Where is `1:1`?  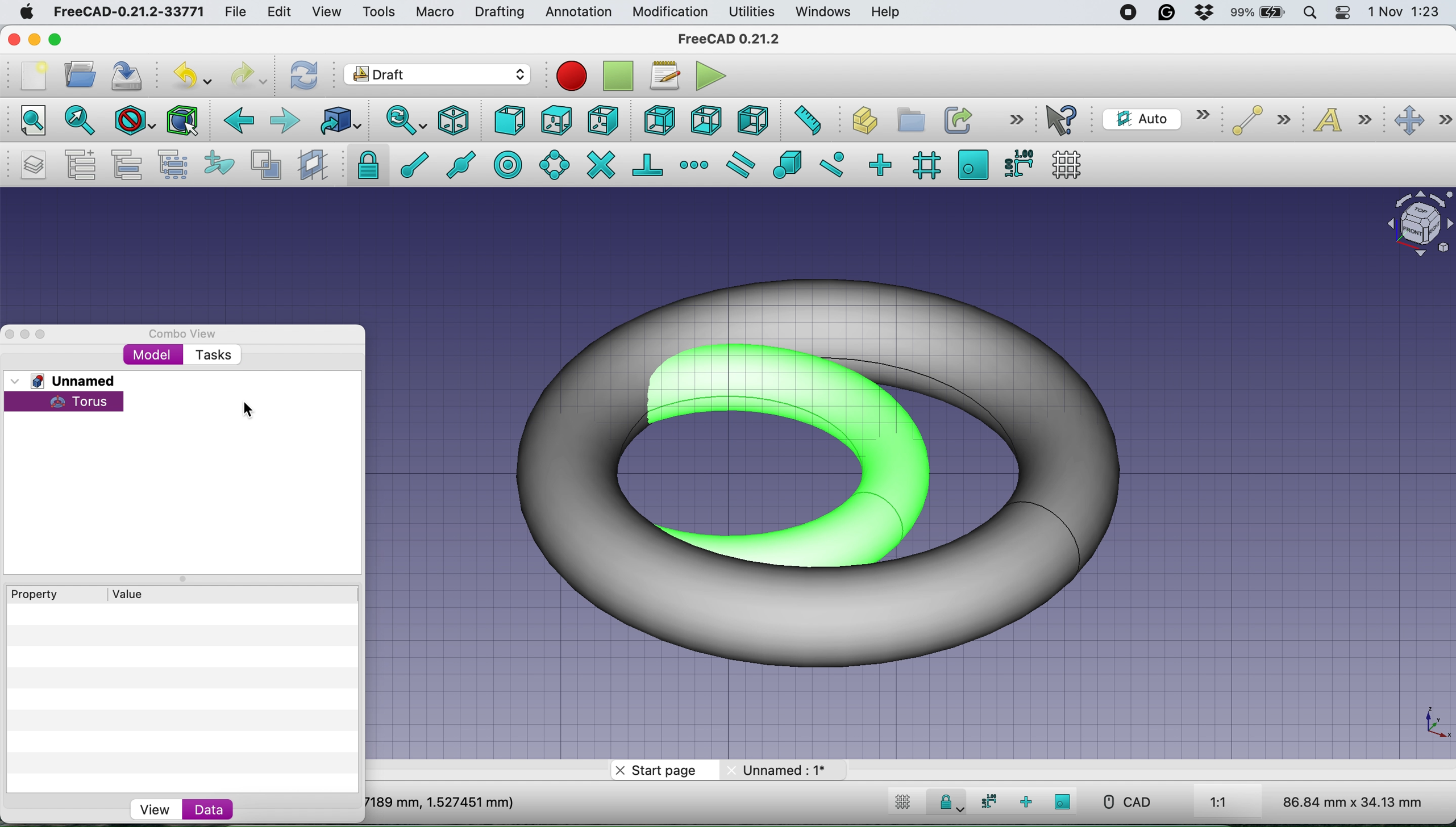 1:1 is located at coordinates (1232, 803).